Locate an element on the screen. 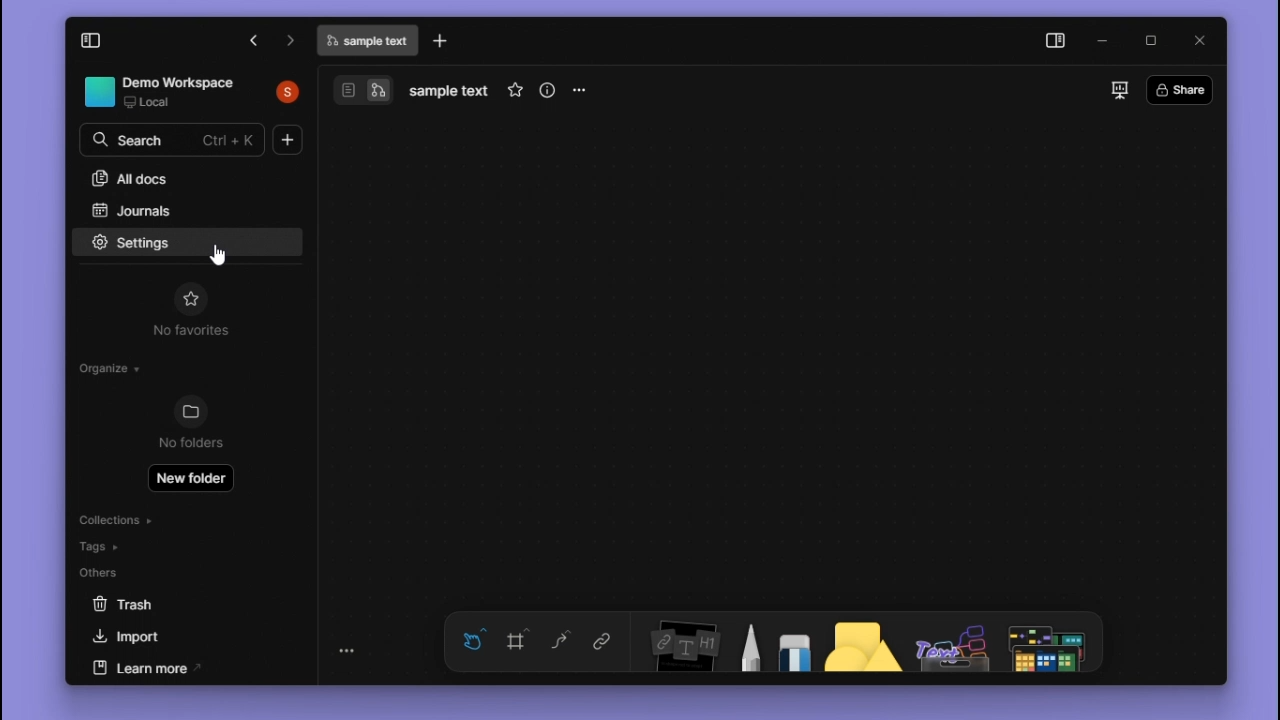  others is located at coordinates (119, 573).